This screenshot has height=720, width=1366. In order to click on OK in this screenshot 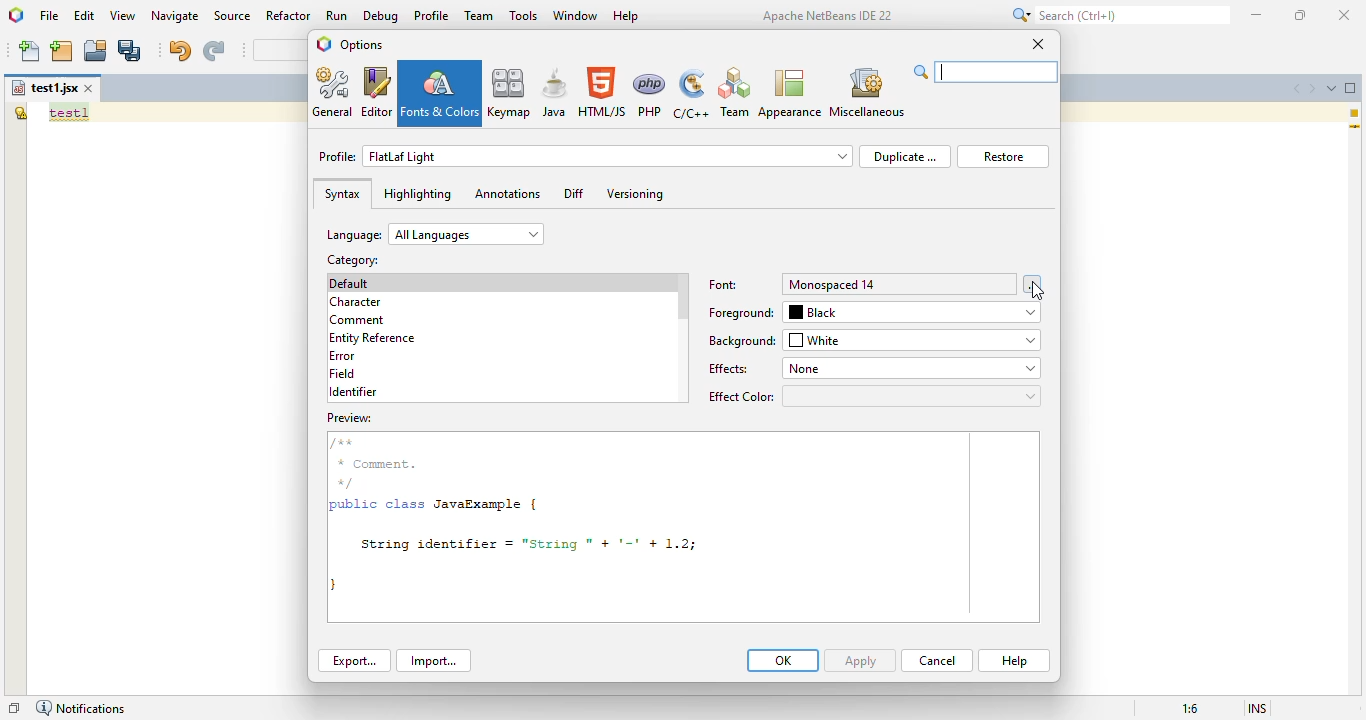, I will do `click(783, 660)`.